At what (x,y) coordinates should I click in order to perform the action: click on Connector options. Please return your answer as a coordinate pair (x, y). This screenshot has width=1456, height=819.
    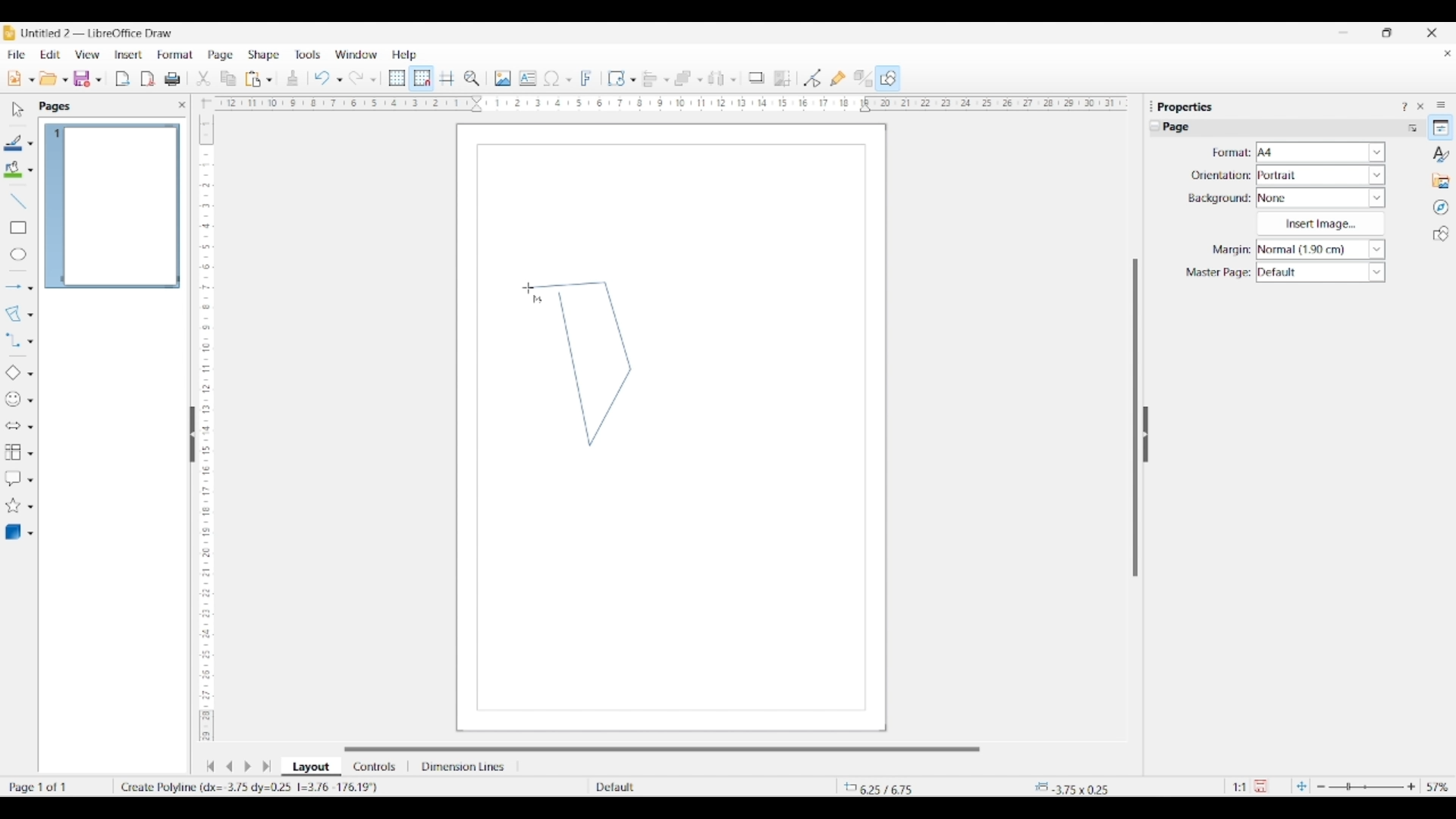
    Looking at the image, I should click on (30, 341).